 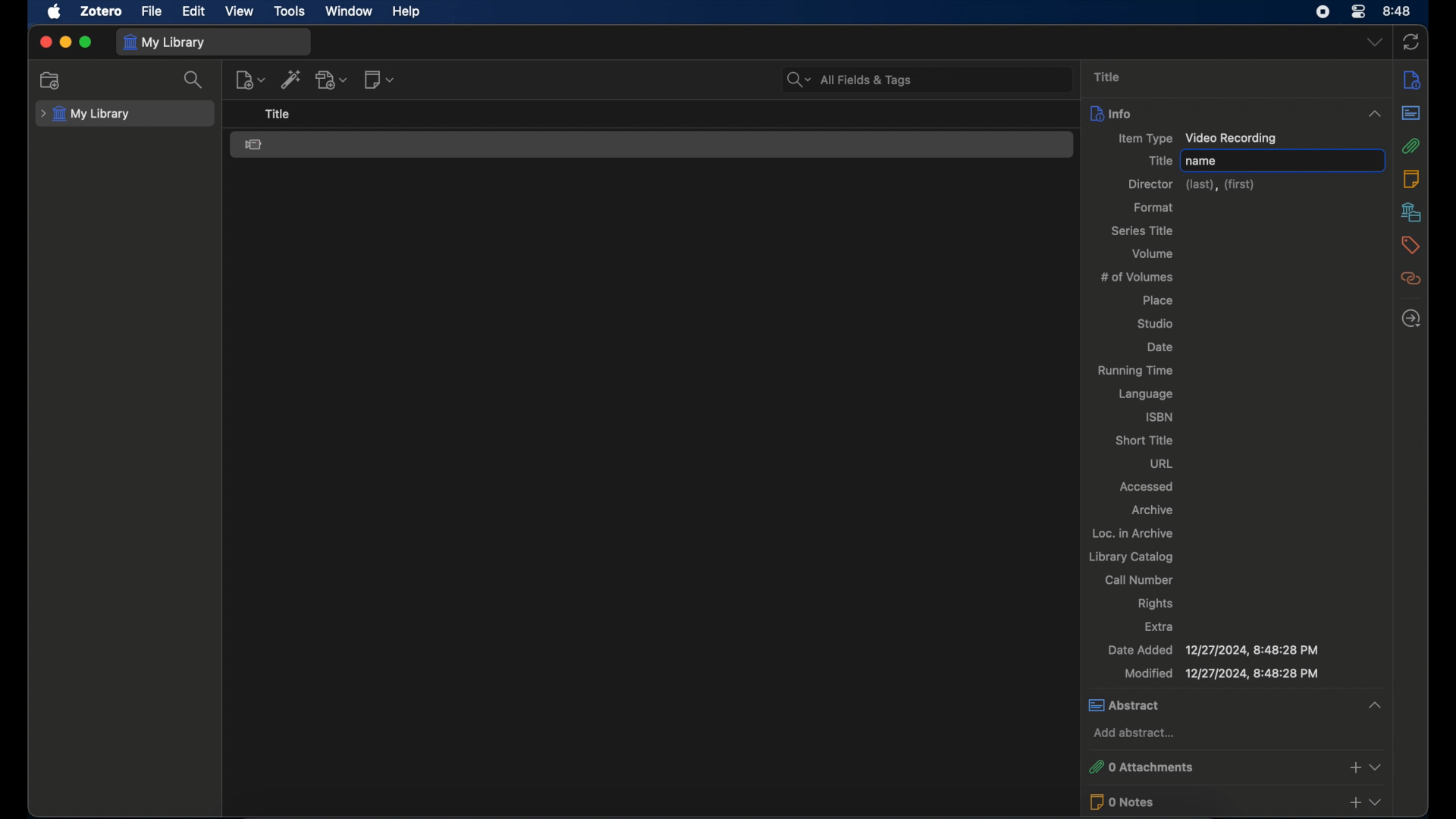 What do you see at coordinates (196, 80) in the screenshot?
I see `search` at bounding box center [196, 80].